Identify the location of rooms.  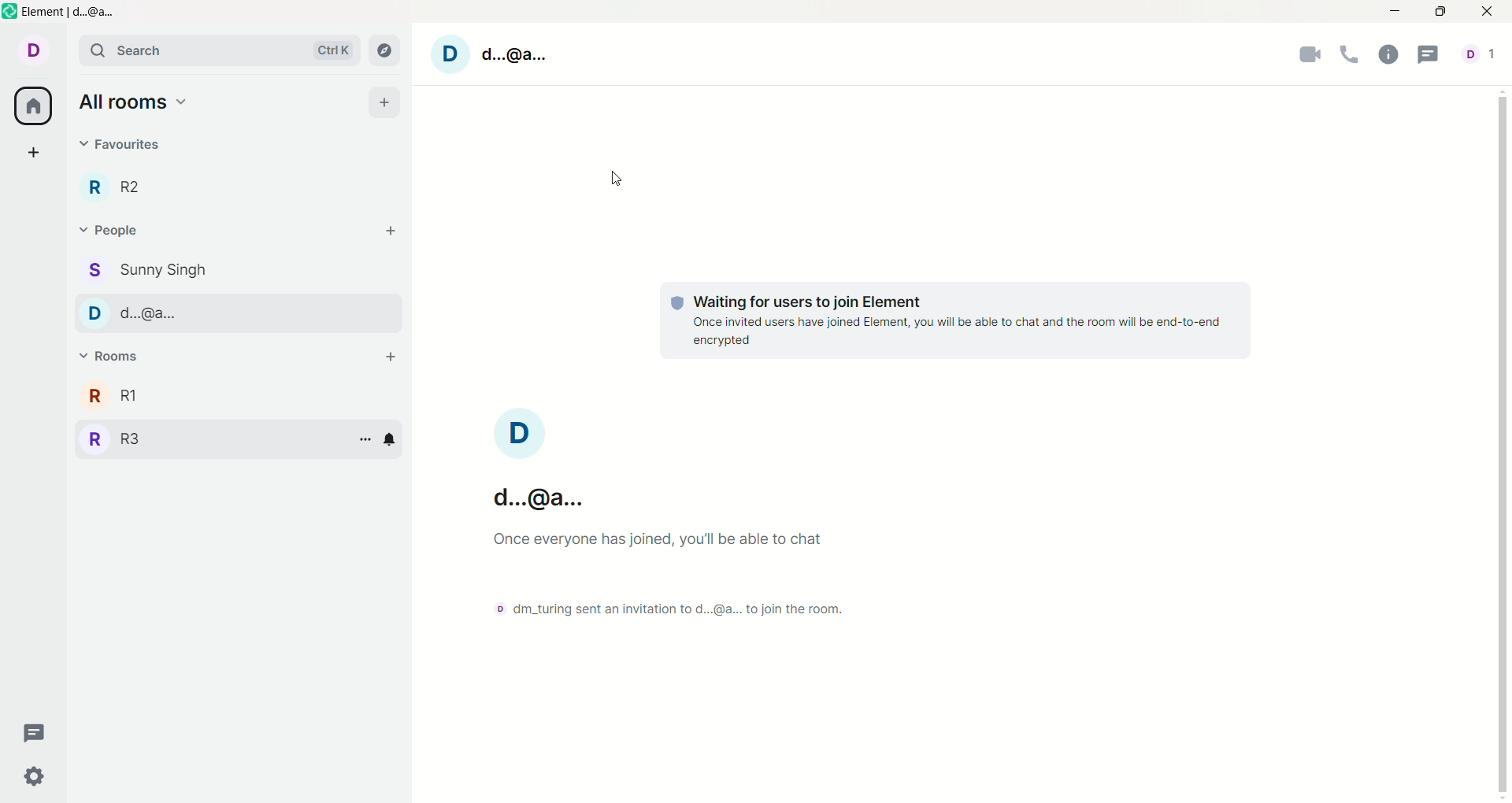
(113, 356).